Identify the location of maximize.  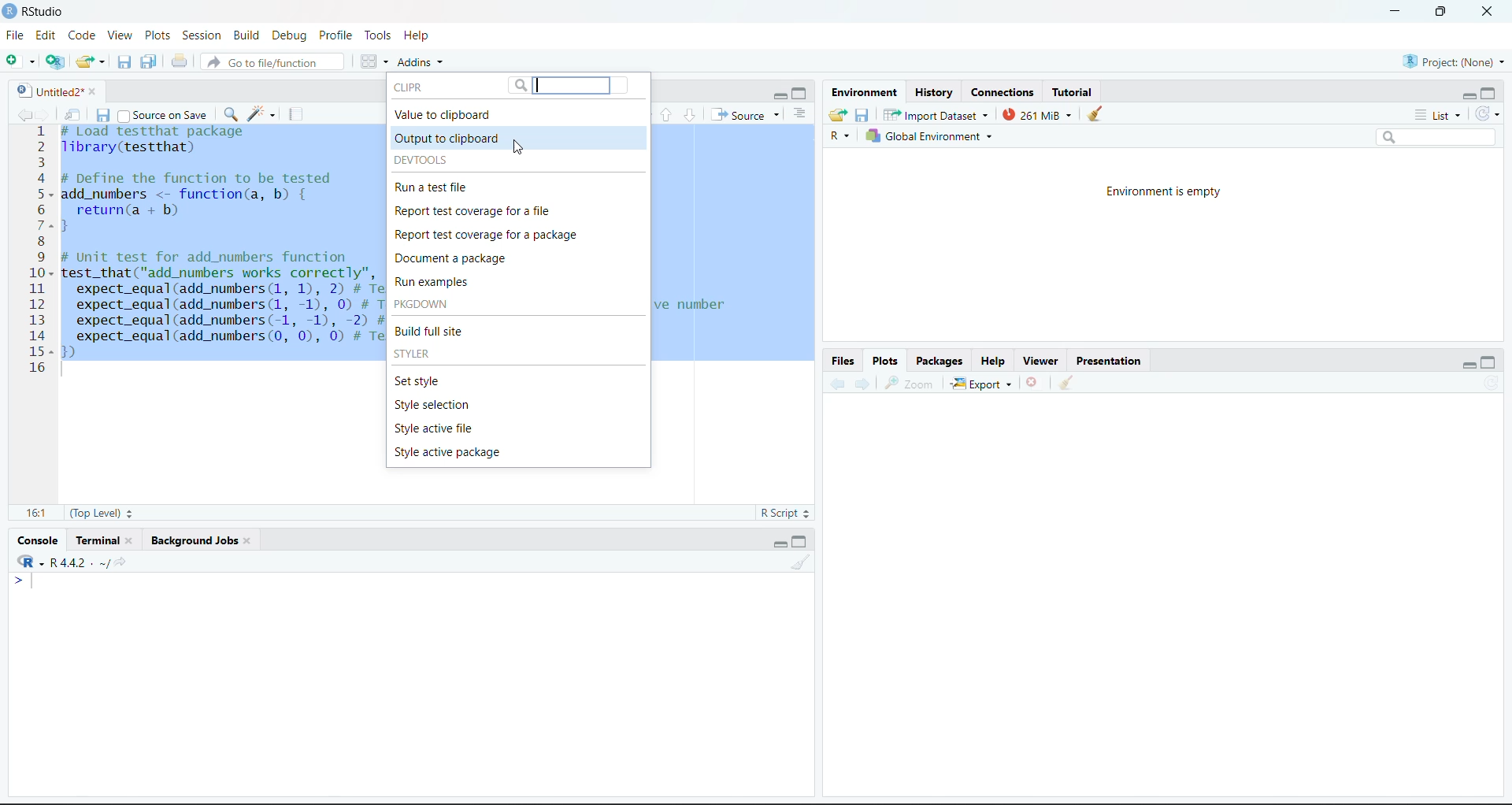
(1491, 361).